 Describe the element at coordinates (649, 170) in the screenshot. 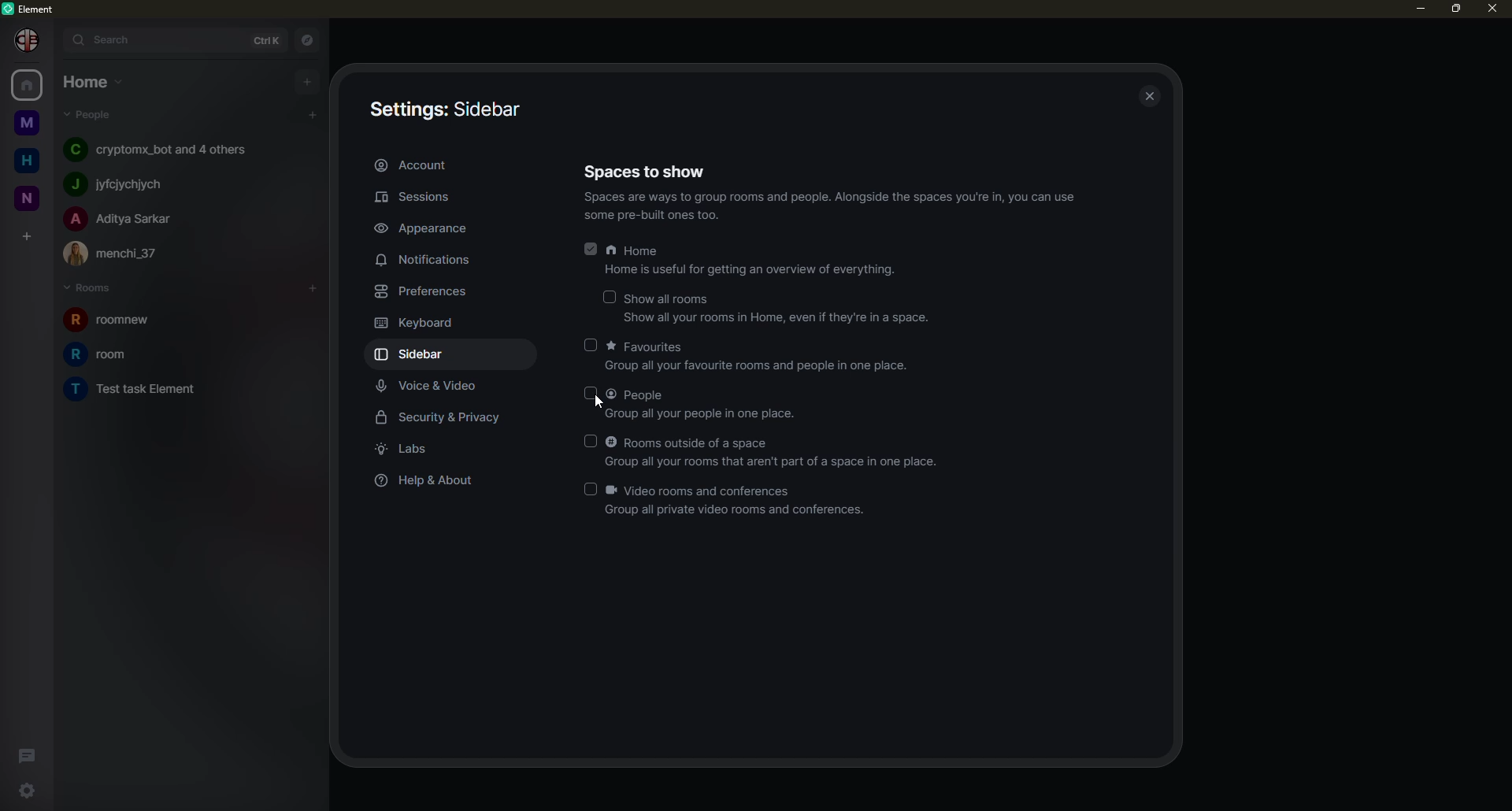

I see `spaces to show` at that location.